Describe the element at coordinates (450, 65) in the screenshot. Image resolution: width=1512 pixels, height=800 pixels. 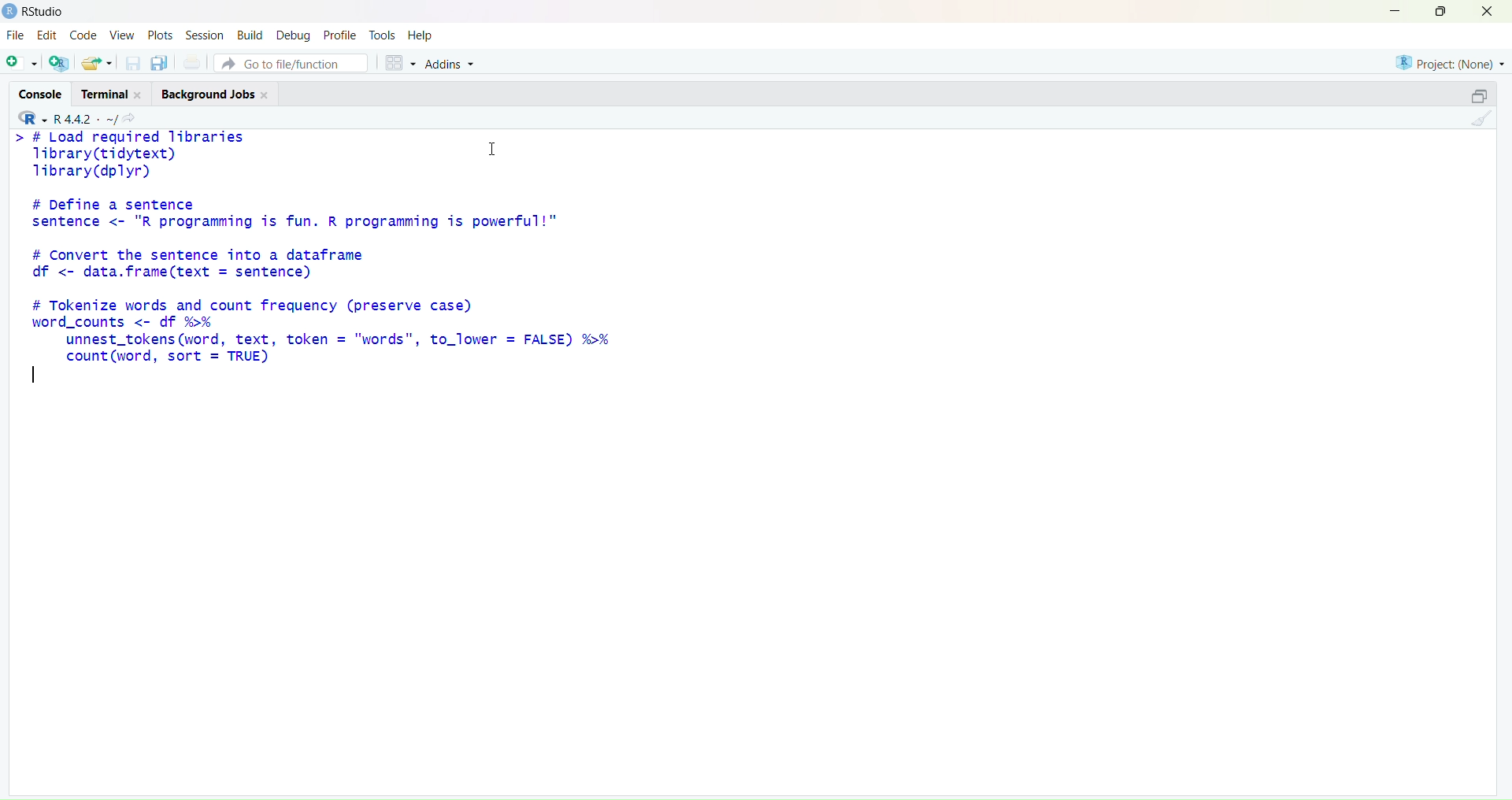
I see `addins` at that location.